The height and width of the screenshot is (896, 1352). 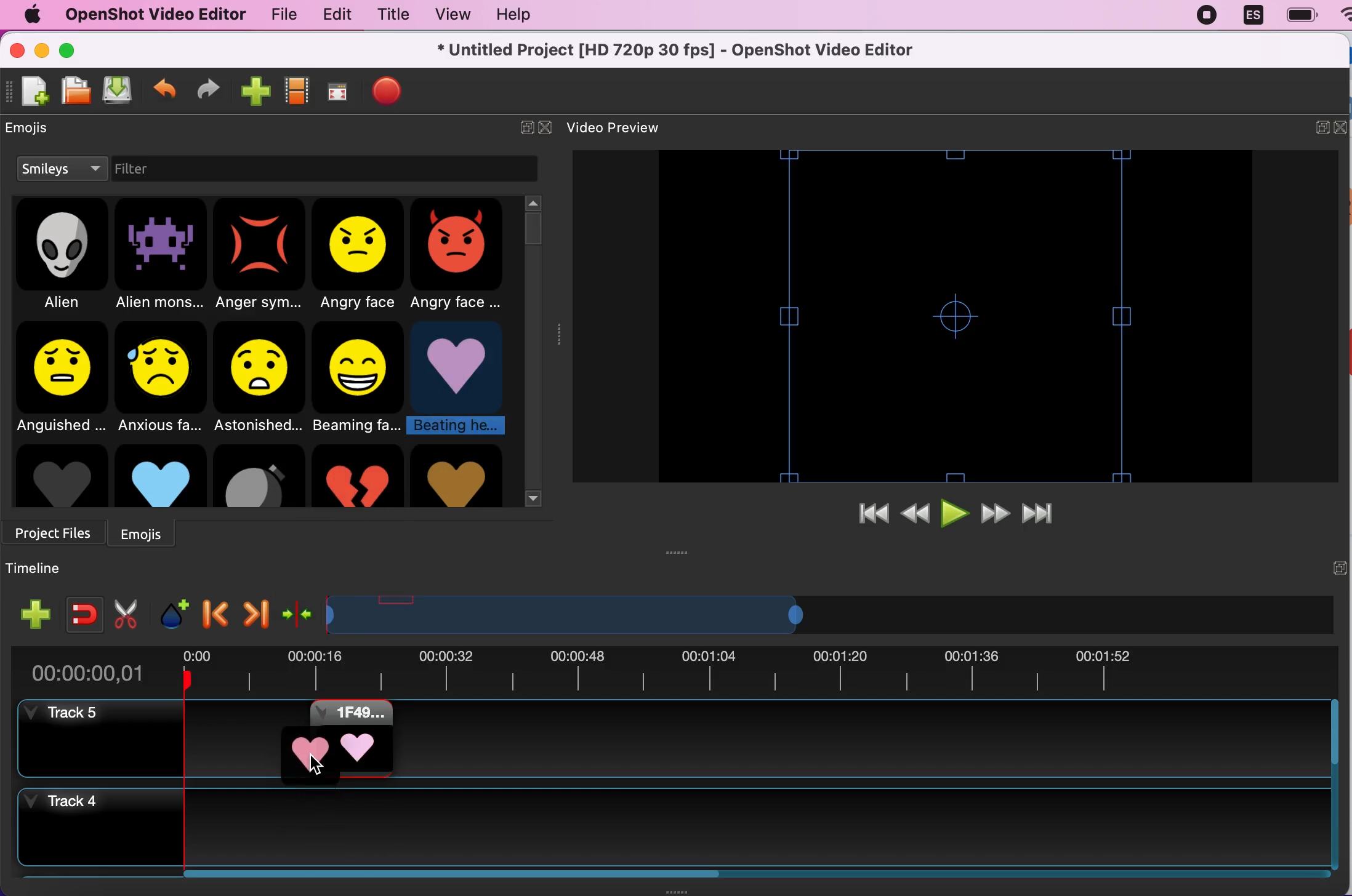 I want to click on alien monster, so click(x=161, y=257).